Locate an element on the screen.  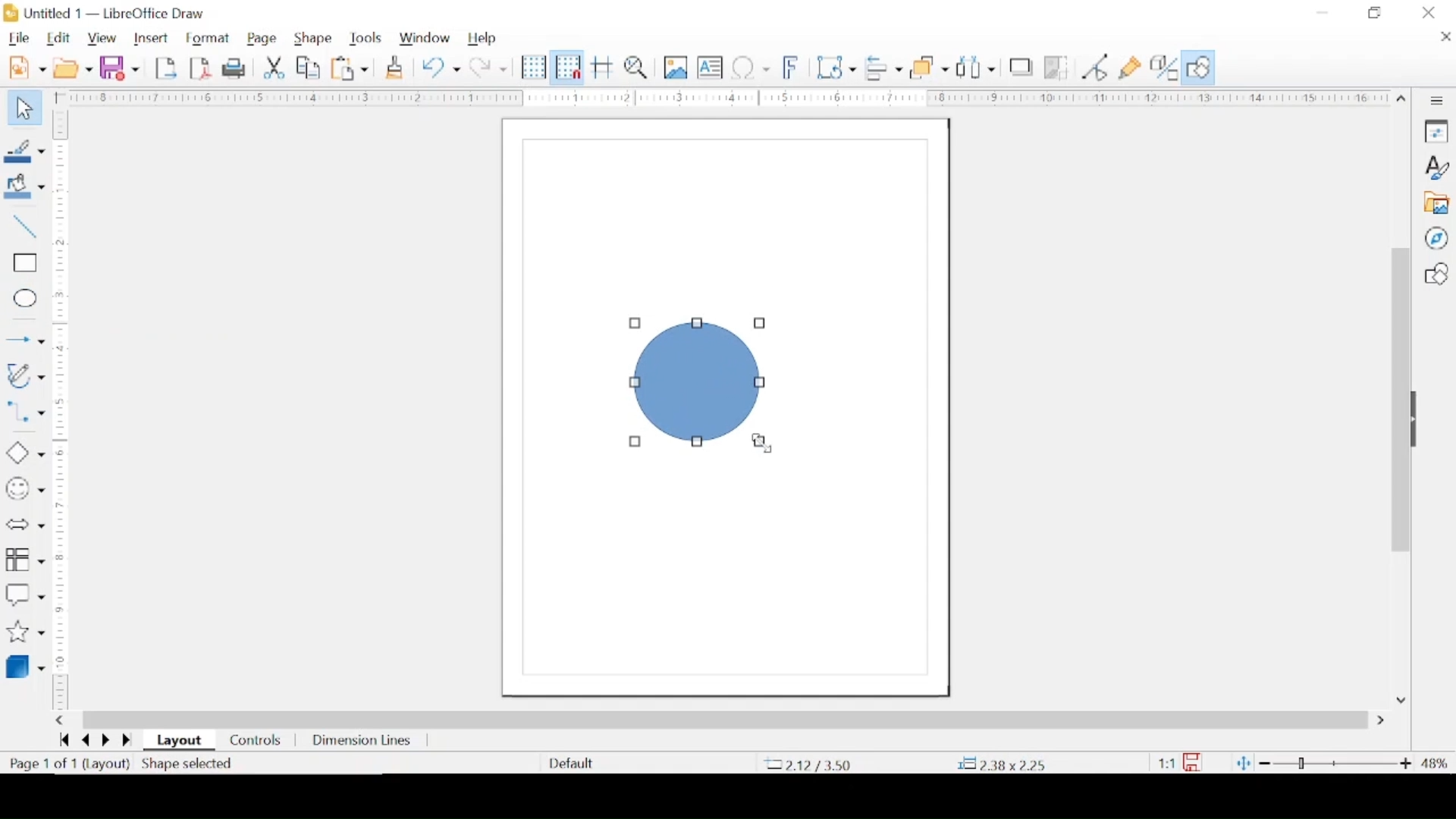
navigator is located at coordinates (1436, 238).